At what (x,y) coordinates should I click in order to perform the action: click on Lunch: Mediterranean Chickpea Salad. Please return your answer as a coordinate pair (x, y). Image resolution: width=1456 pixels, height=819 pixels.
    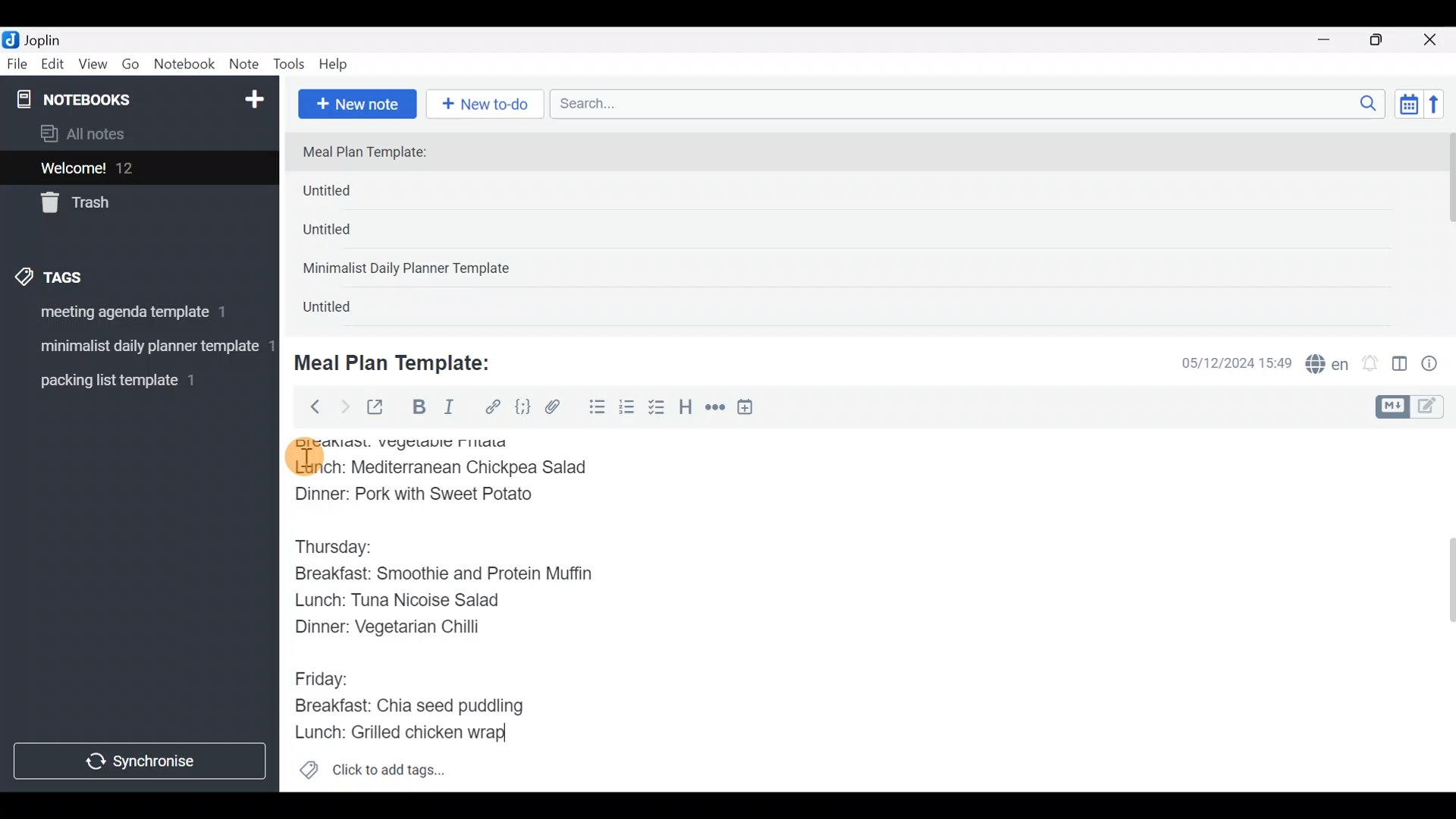
    Looking at the image, I should click on (450, 466).